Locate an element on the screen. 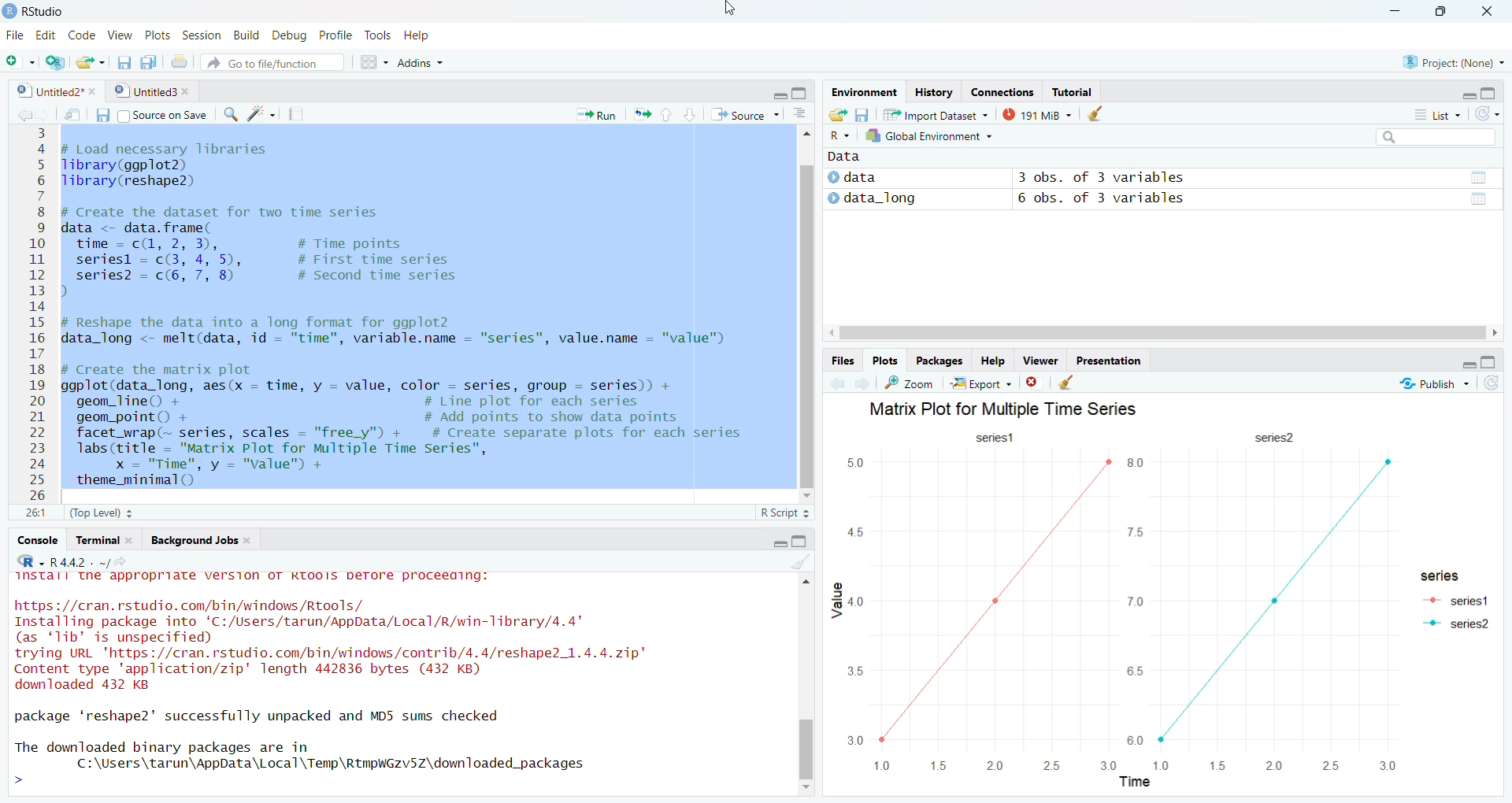  Profile is located at coordinates (339, 35).